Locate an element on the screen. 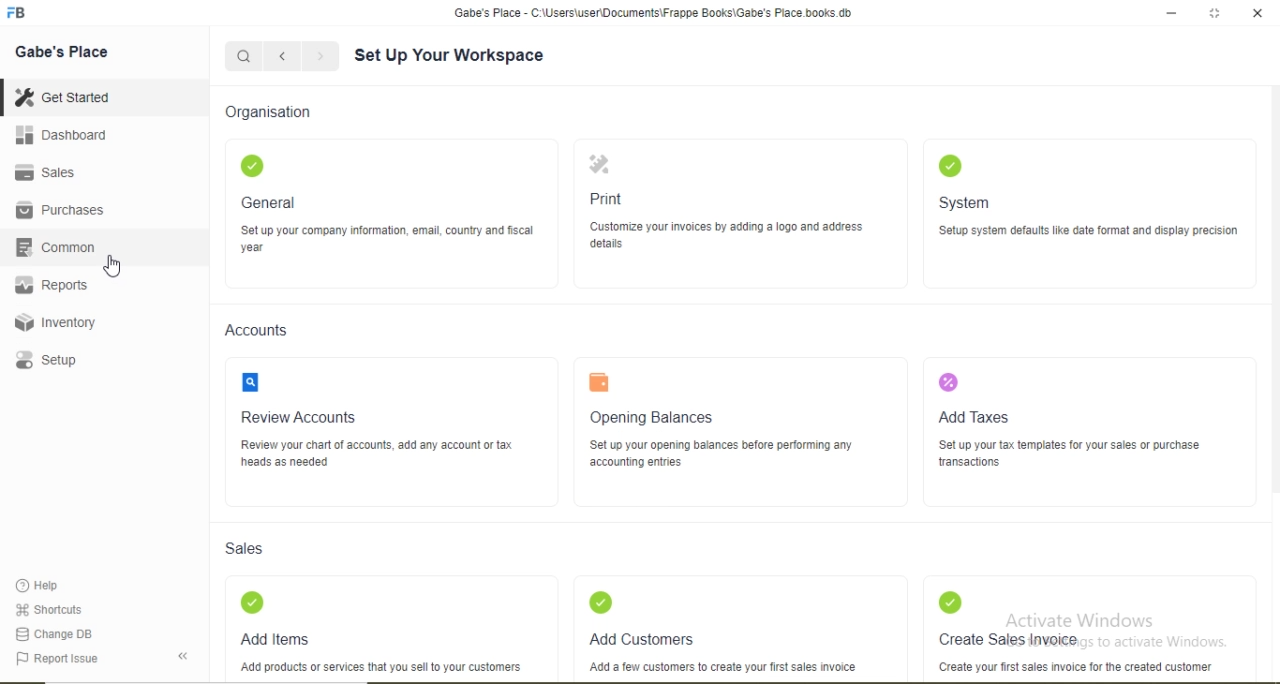 The image size is (1280, 684). Help is located at coordinates (39, 585).